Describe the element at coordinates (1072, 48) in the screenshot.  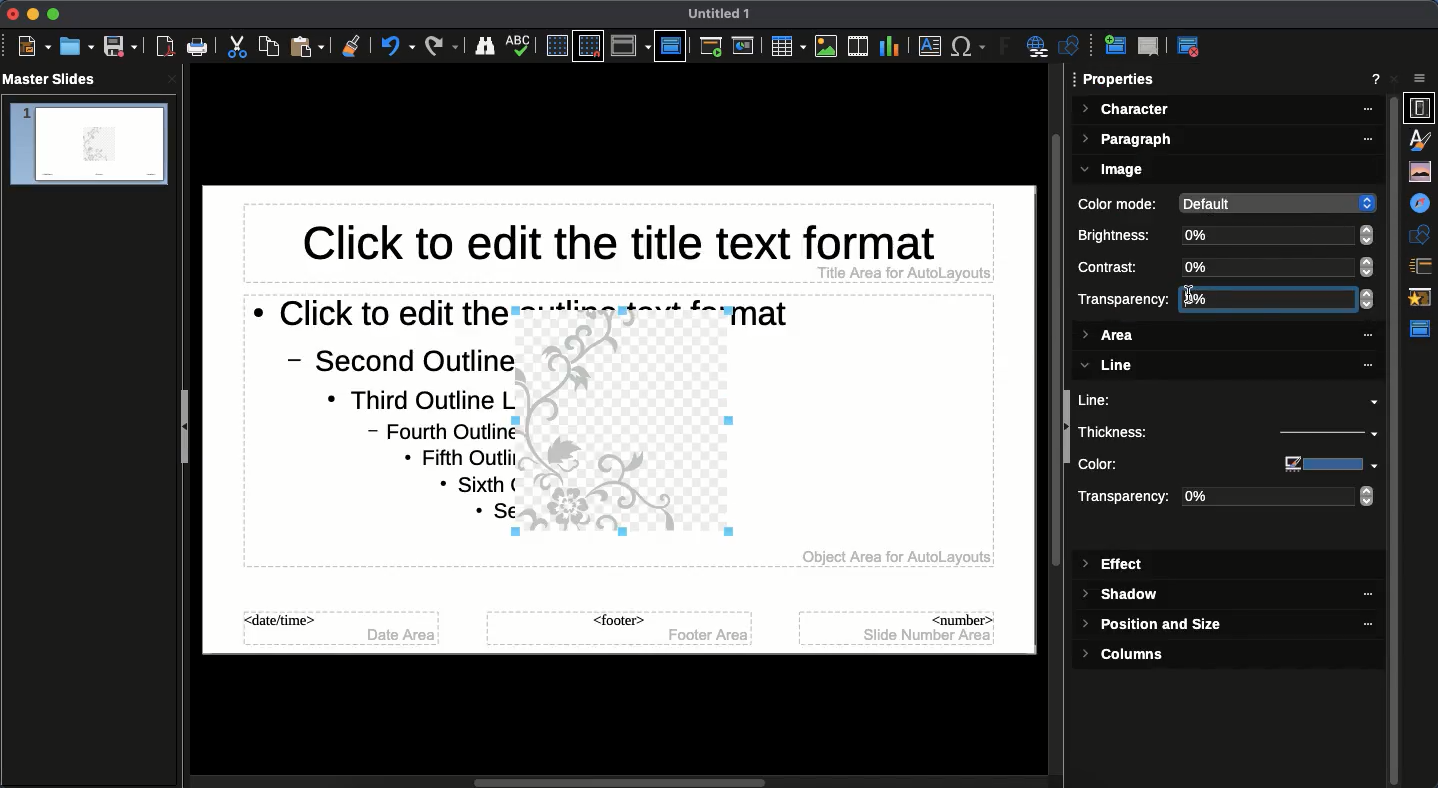
I see `Shapes` at that location.